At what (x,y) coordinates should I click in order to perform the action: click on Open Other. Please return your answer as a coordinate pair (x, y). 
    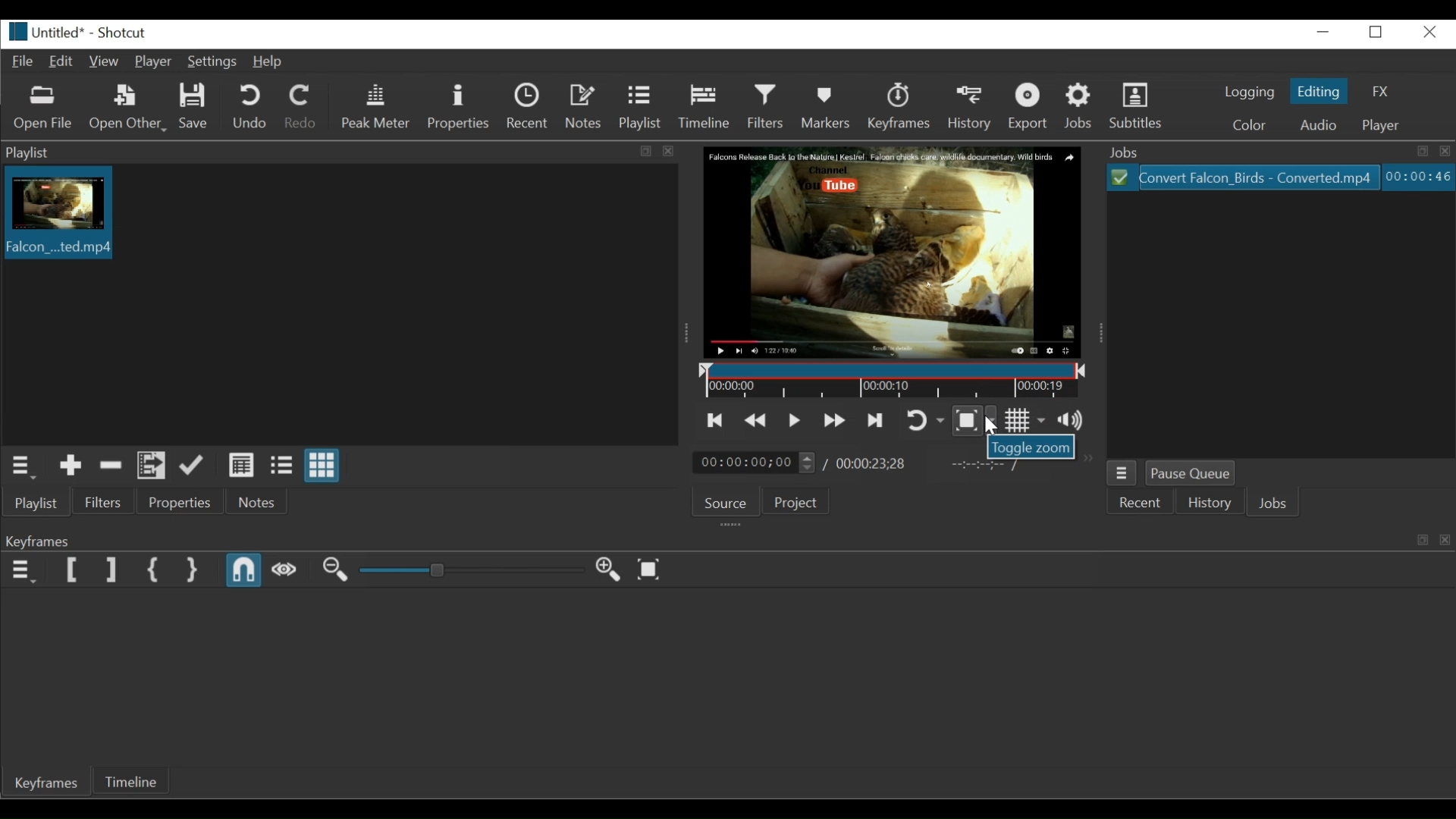
    Looking at the image, I should click on (129, 108).